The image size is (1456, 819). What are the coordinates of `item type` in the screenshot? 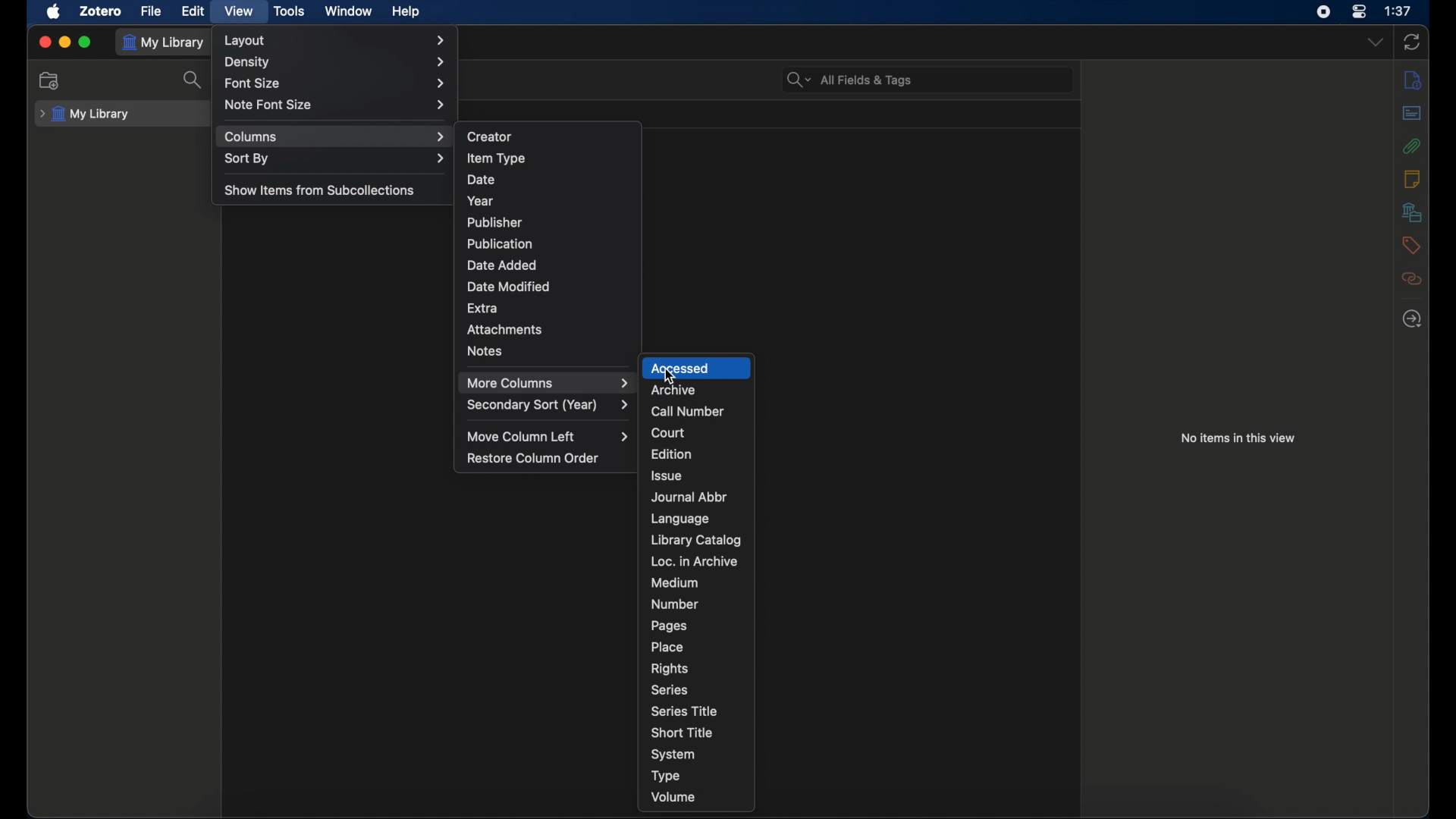 It's located at (497, 158).